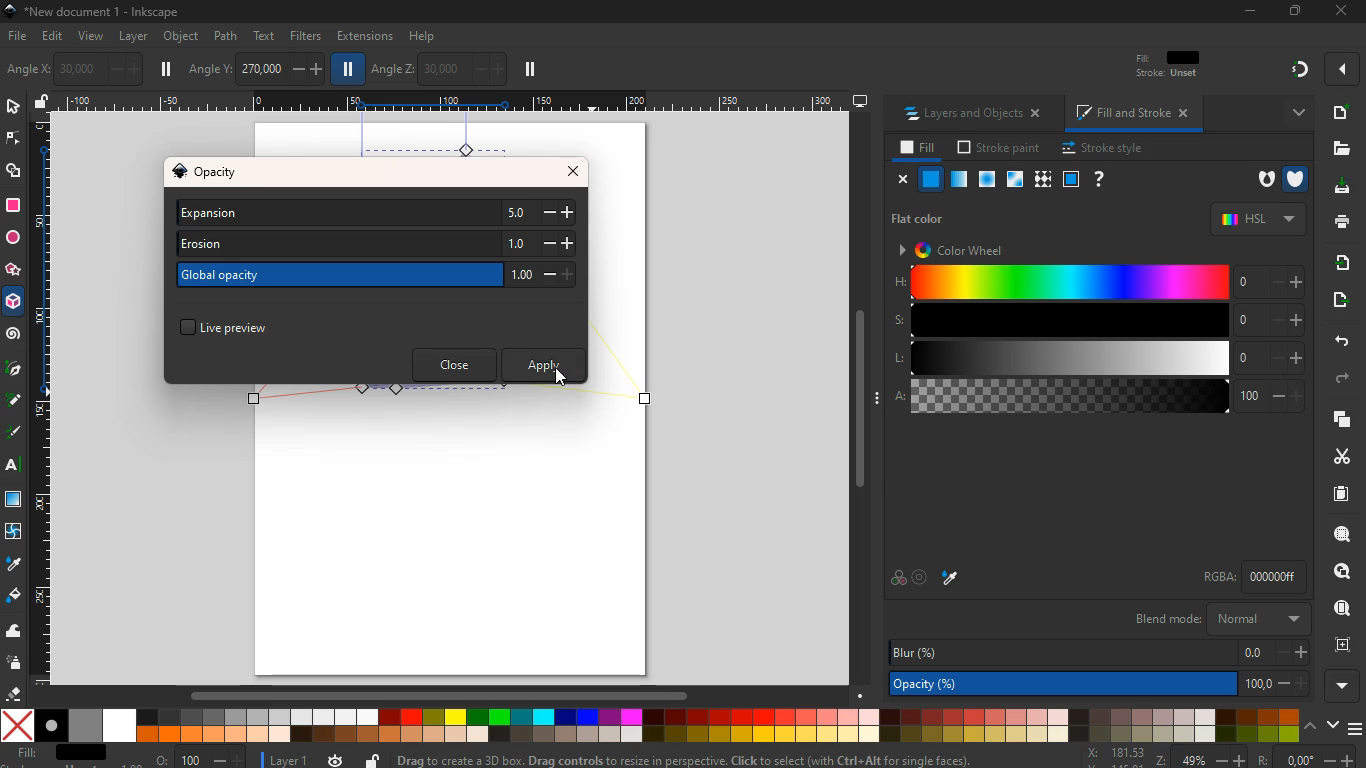  I want to click on fill, so click(60, 753).